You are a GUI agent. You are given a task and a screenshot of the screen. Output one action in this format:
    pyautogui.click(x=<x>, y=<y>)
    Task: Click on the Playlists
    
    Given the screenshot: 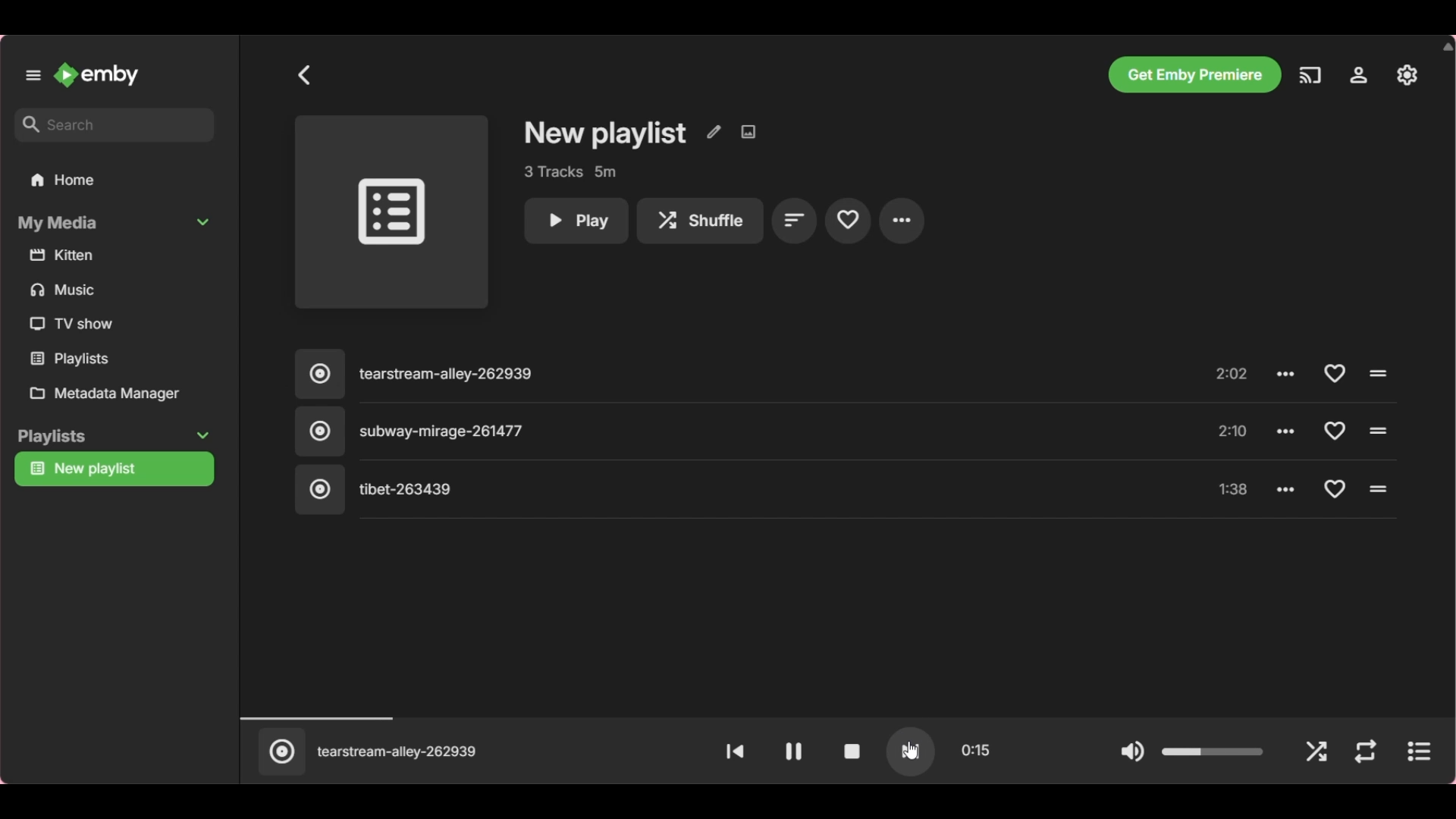 What is the action you would take?
    pyautogui.click(x=111, y=436)
    